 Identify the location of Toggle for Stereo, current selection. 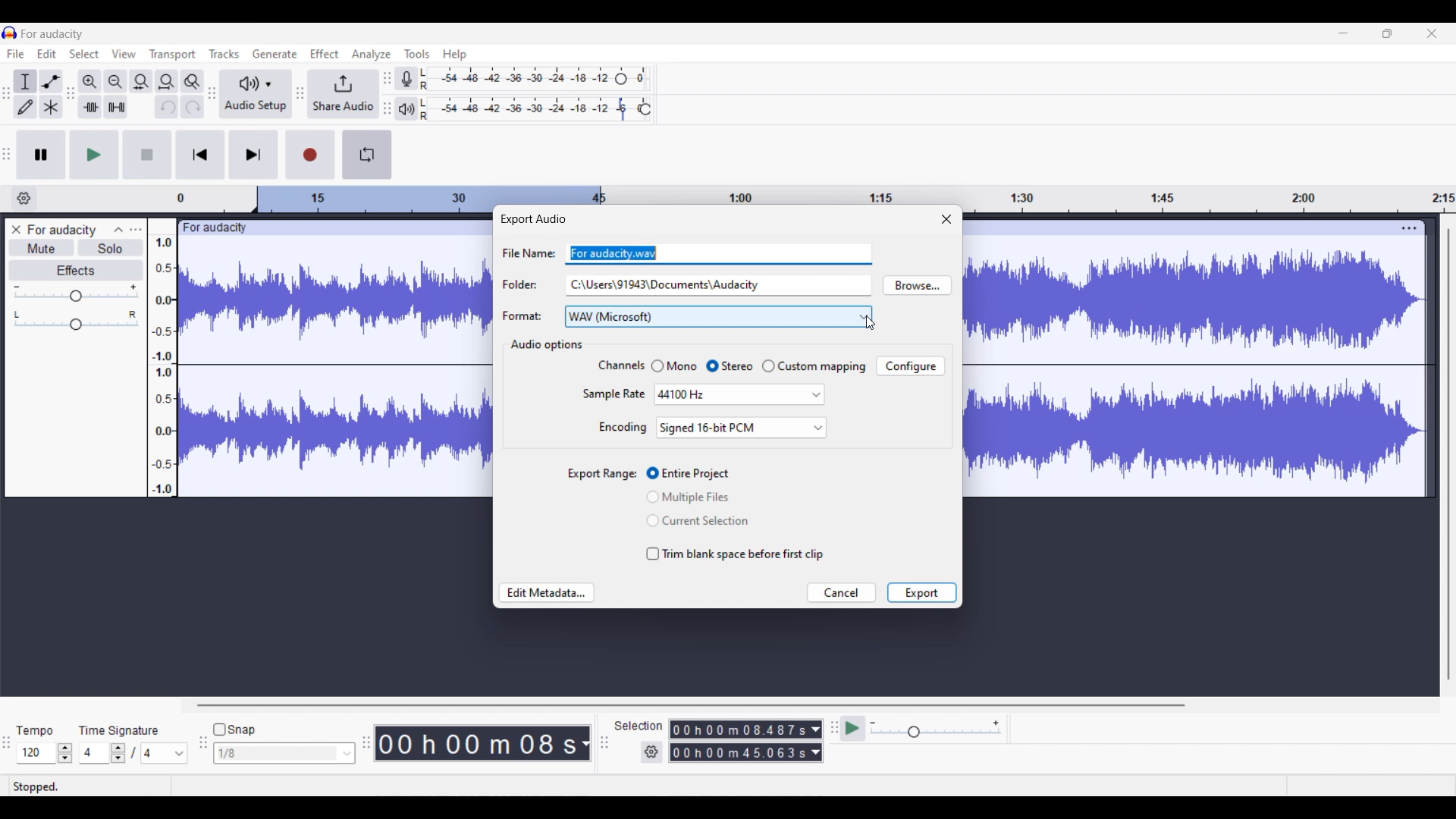
(730, 366).